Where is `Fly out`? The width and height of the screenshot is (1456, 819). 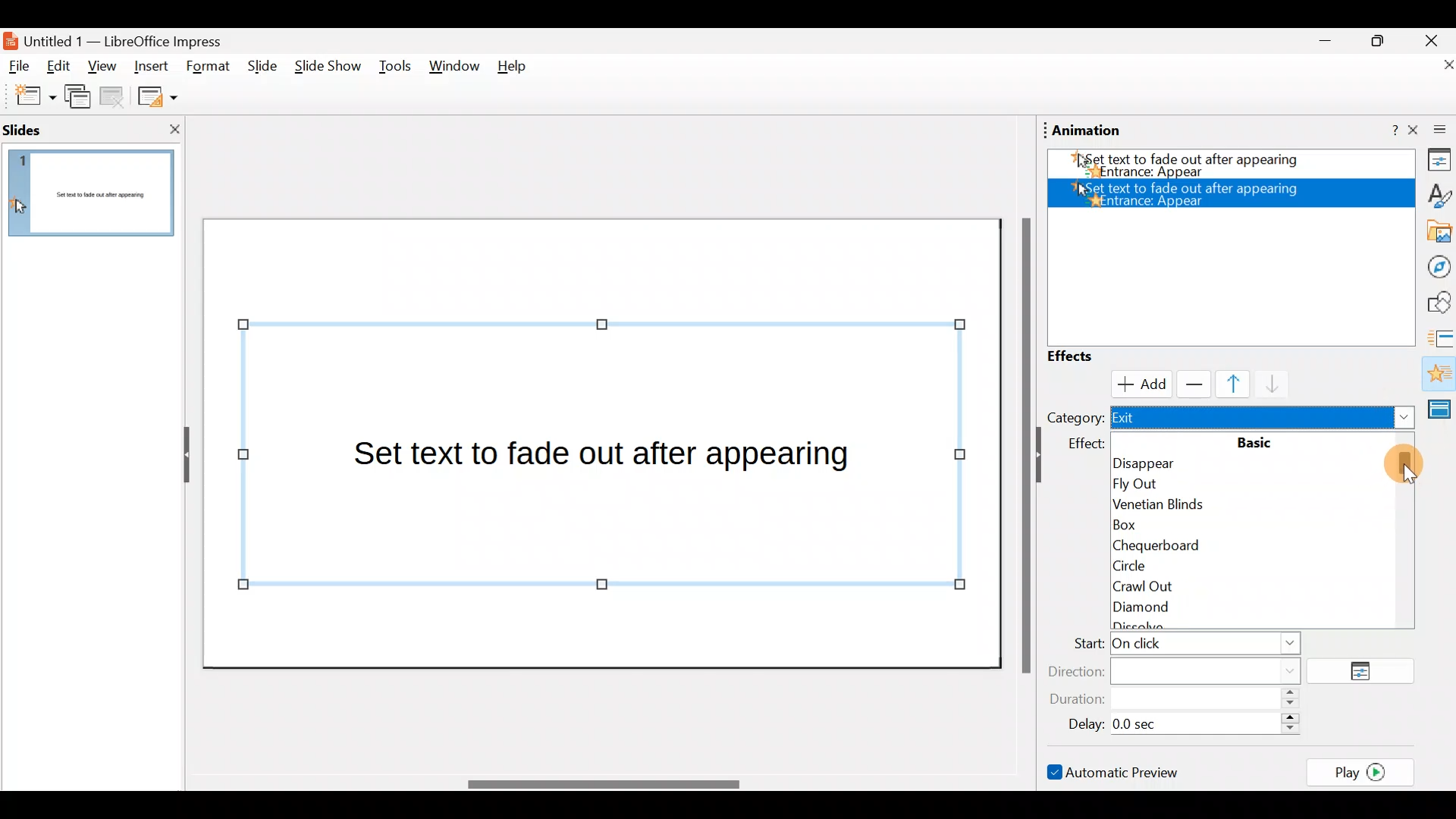 Fly out is located at coordinates (1183, 484).